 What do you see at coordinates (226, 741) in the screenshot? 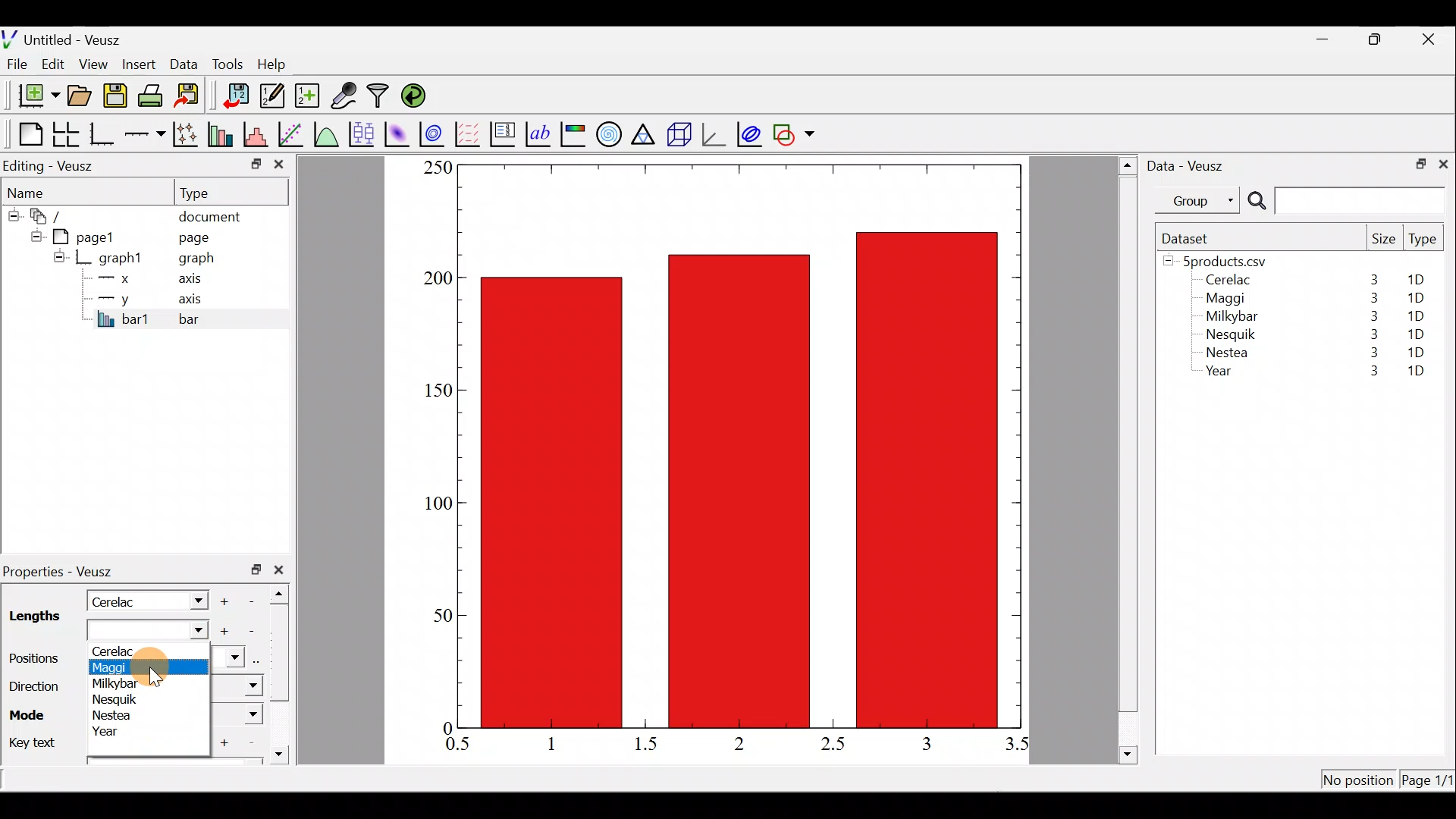
I see `add another item` at bounding box center [226, 741].